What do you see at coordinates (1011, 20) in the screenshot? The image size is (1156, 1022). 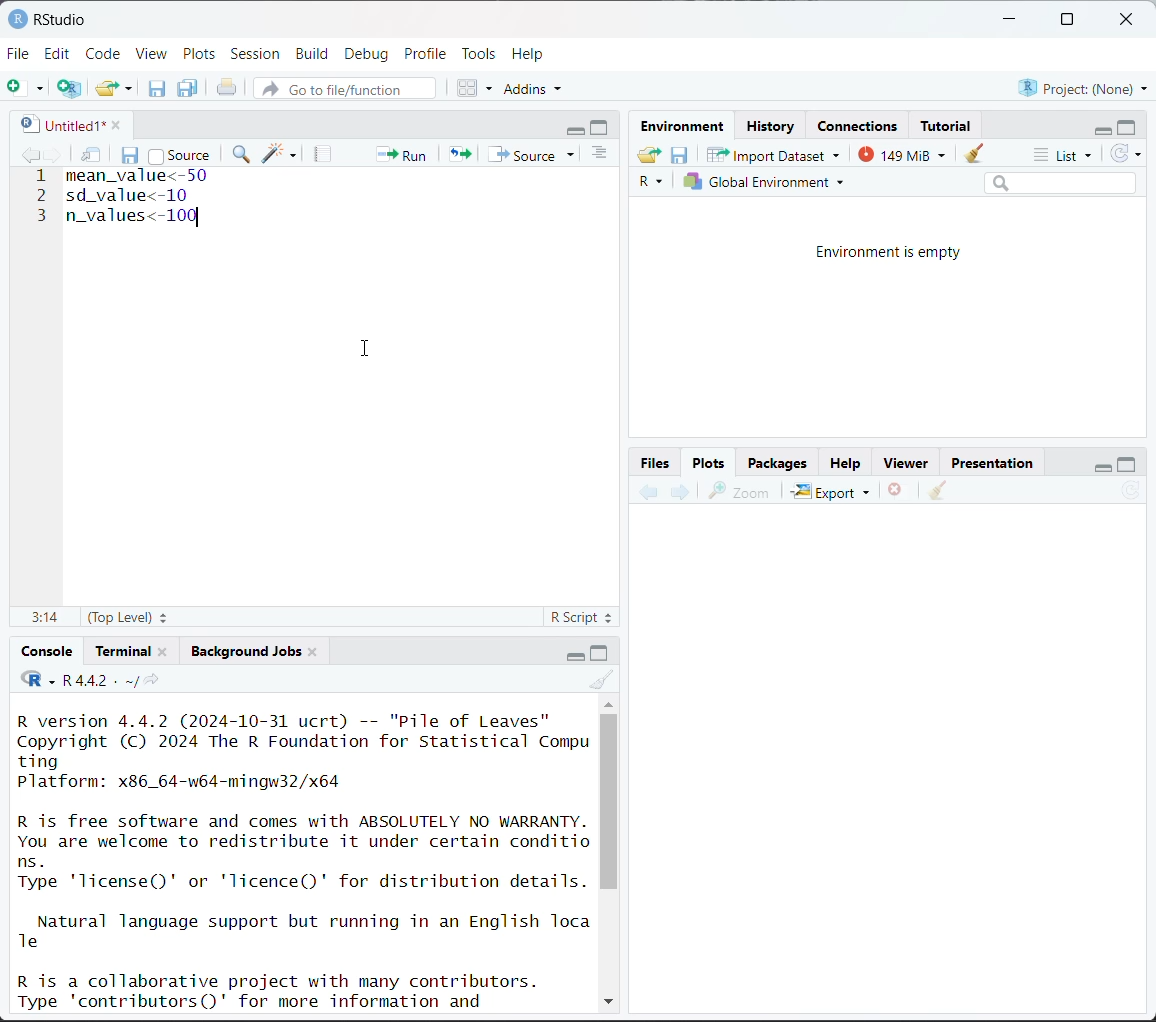 I see `minimize` at bounding box center [1011, 20].